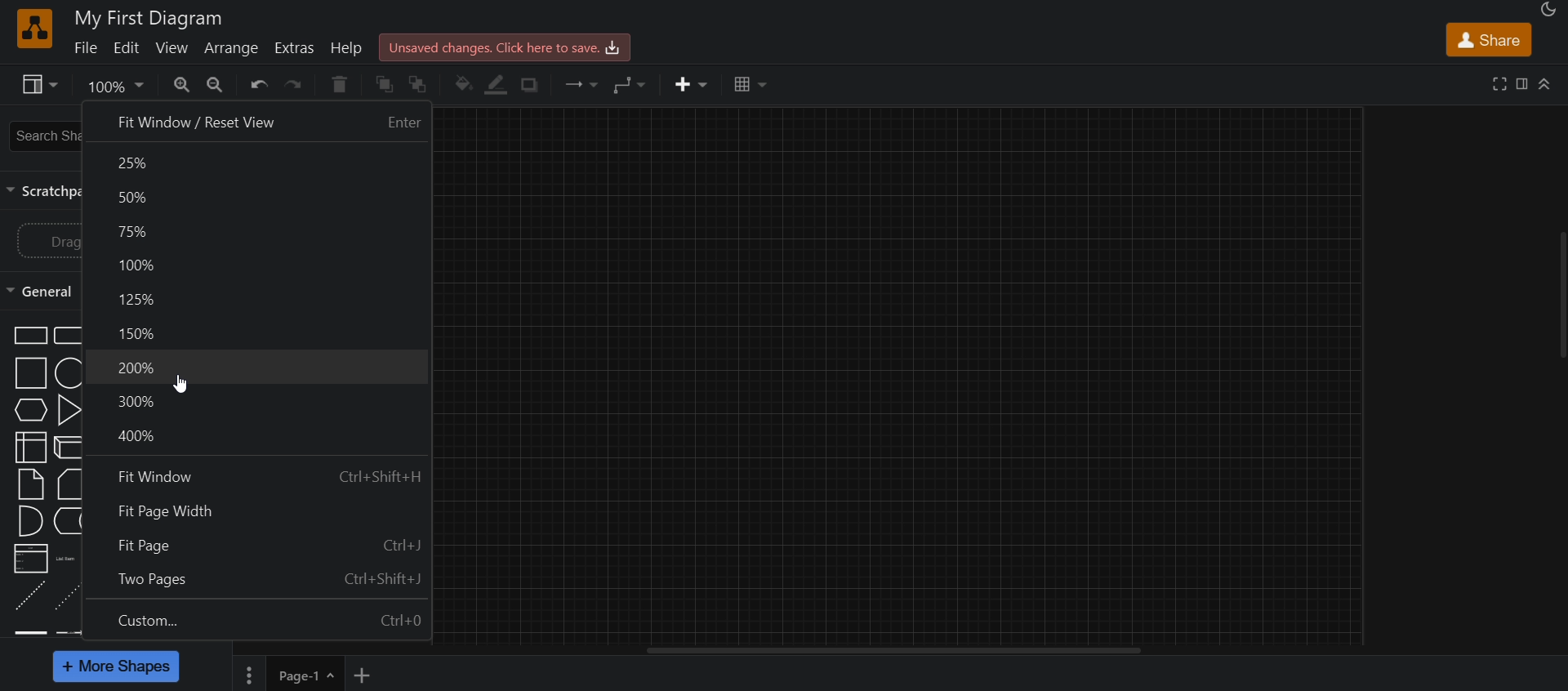 This screenshot has width=1568, height=691. What do you see at coordinates (269, 547) in the screenshot?
I see `fit page` at bounding box center [269, 547].